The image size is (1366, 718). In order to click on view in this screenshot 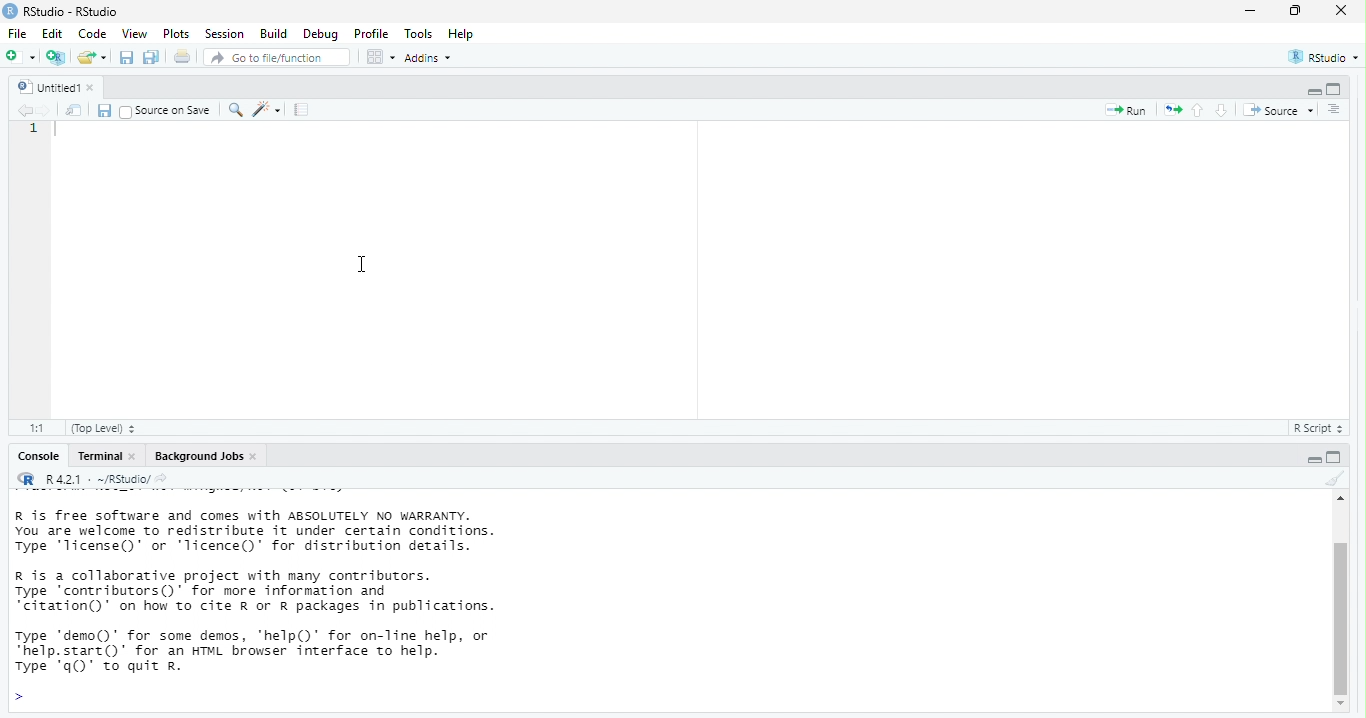, I will do `click(133, 34)`.